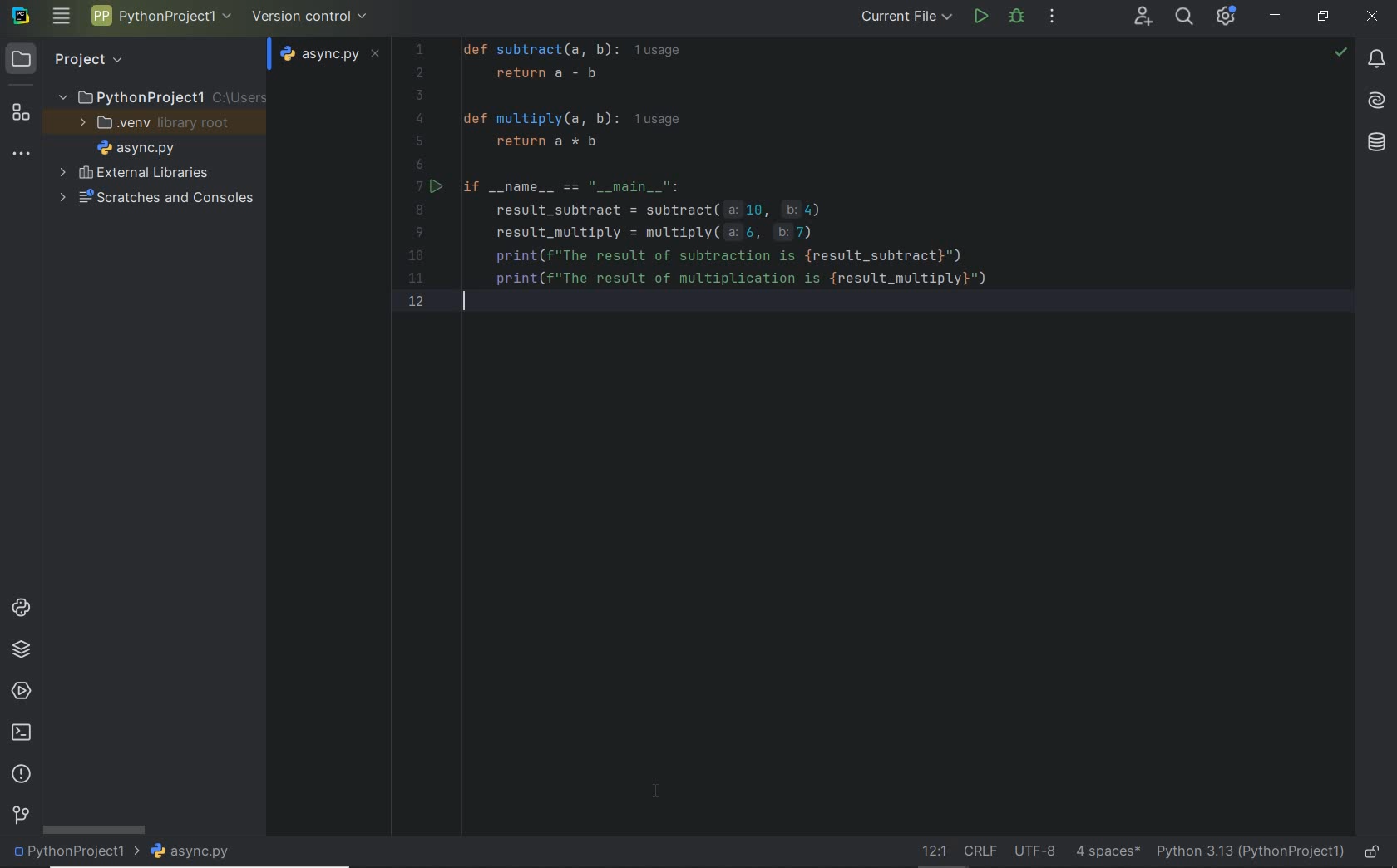 Image resolution: width=1397 pixels, height=868 pixels. Describe the element at coordinates (136, 148) in the screenshot. I see `project files` at that location.